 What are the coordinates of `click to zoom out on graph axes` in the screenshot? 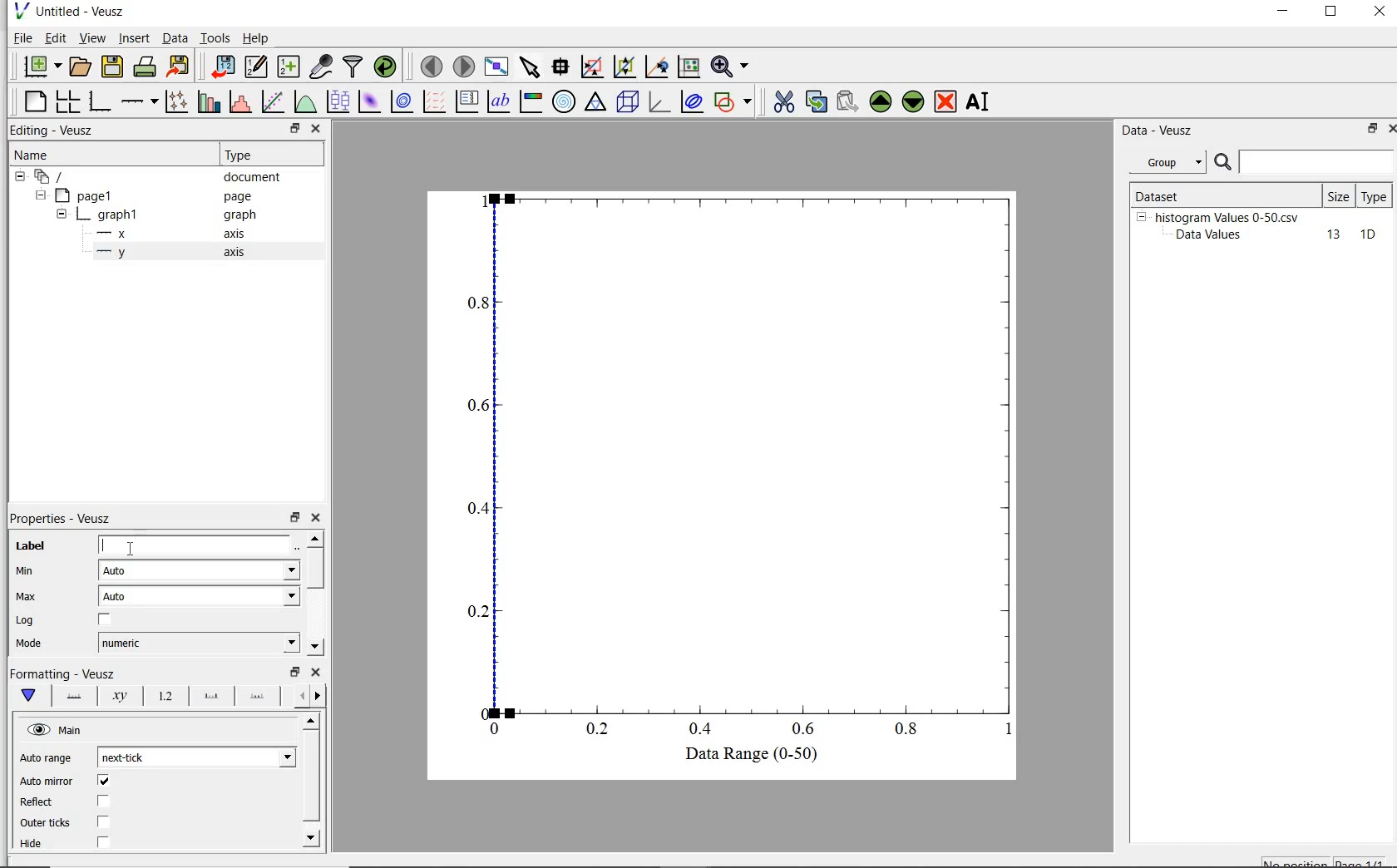 It's located at (656, 67).